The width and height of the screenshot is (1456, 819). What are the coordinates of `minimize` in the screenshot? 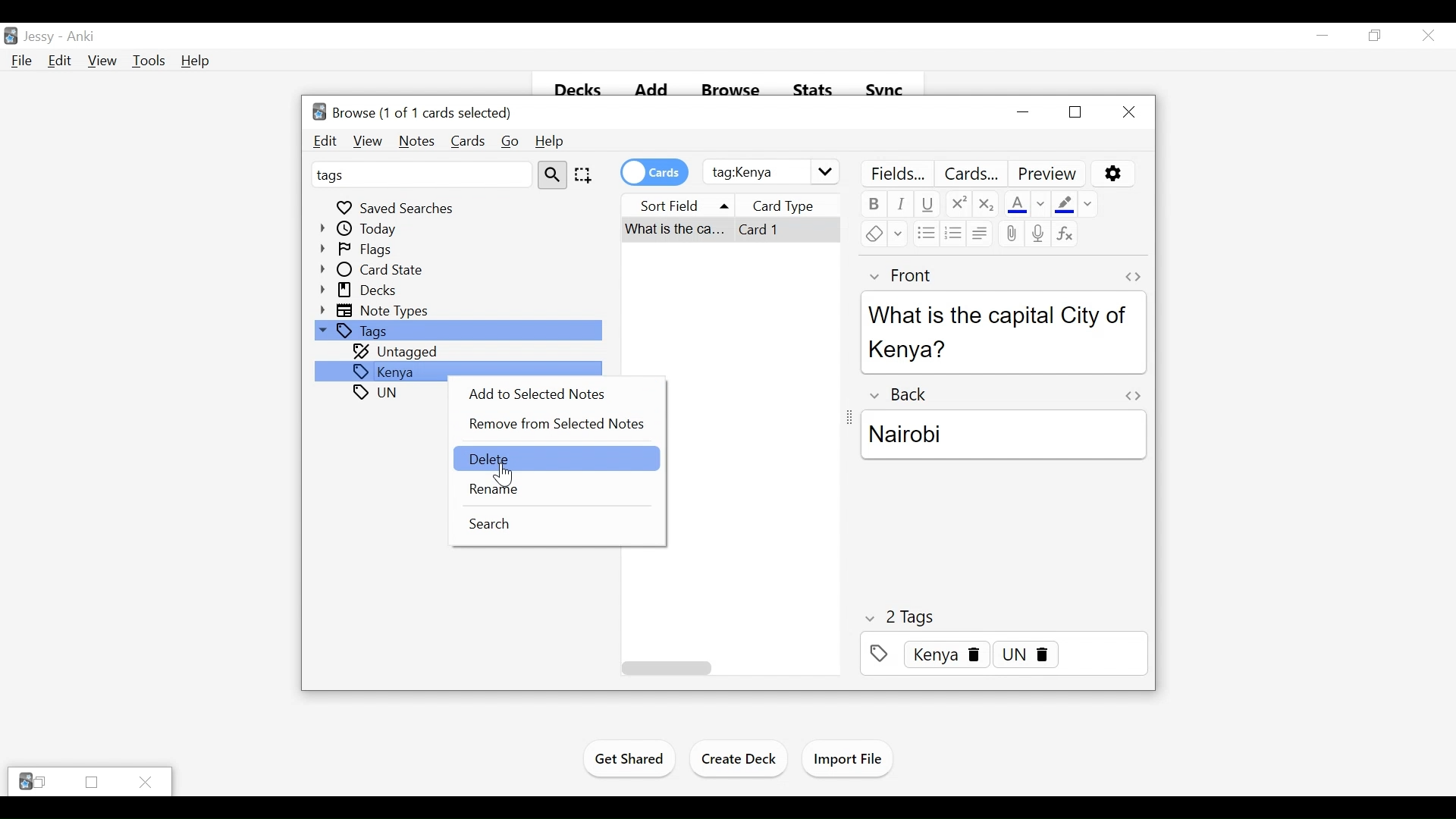 It's located at (1025, 113).